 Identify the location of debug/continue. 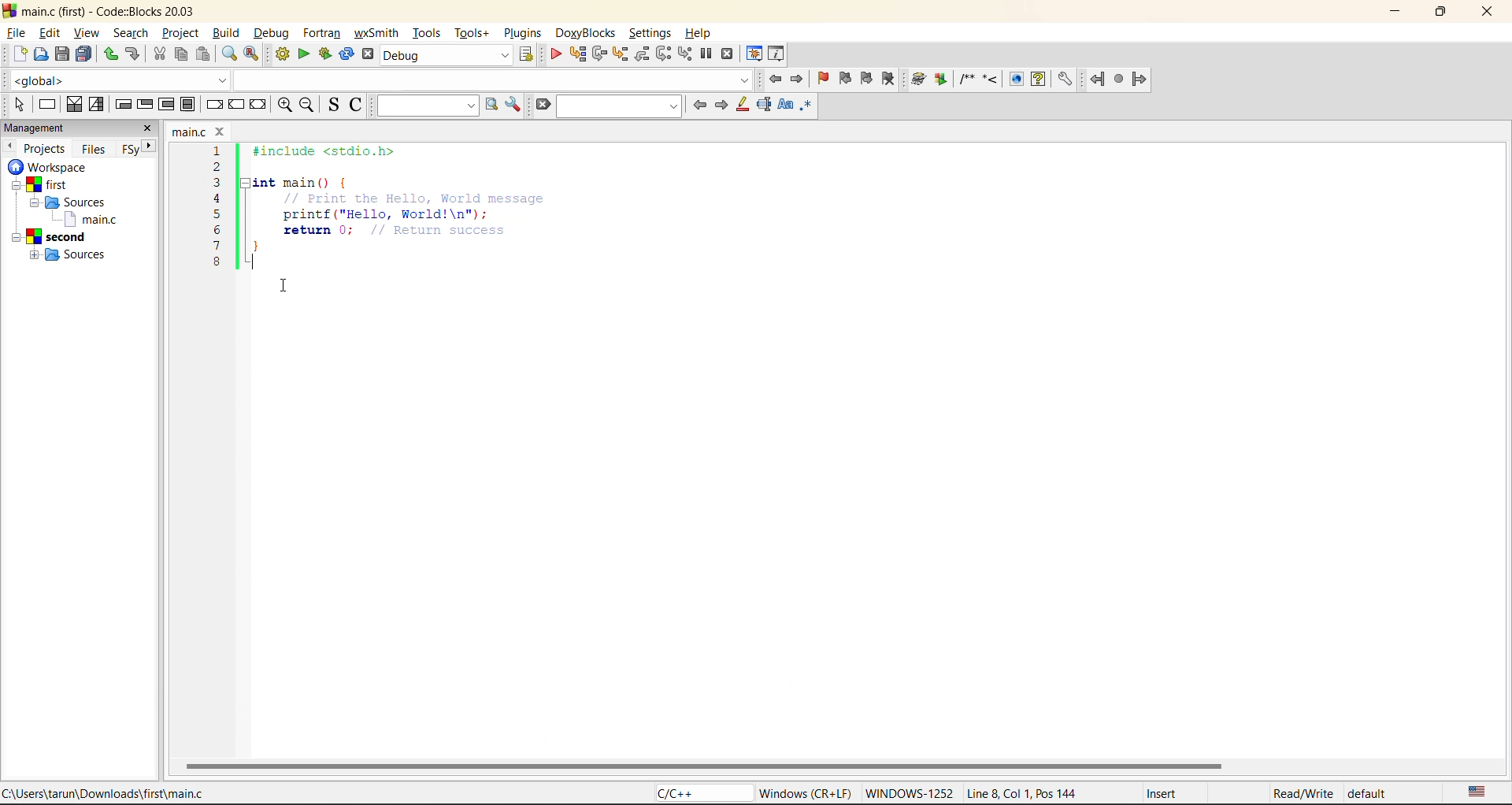
(552, 54).